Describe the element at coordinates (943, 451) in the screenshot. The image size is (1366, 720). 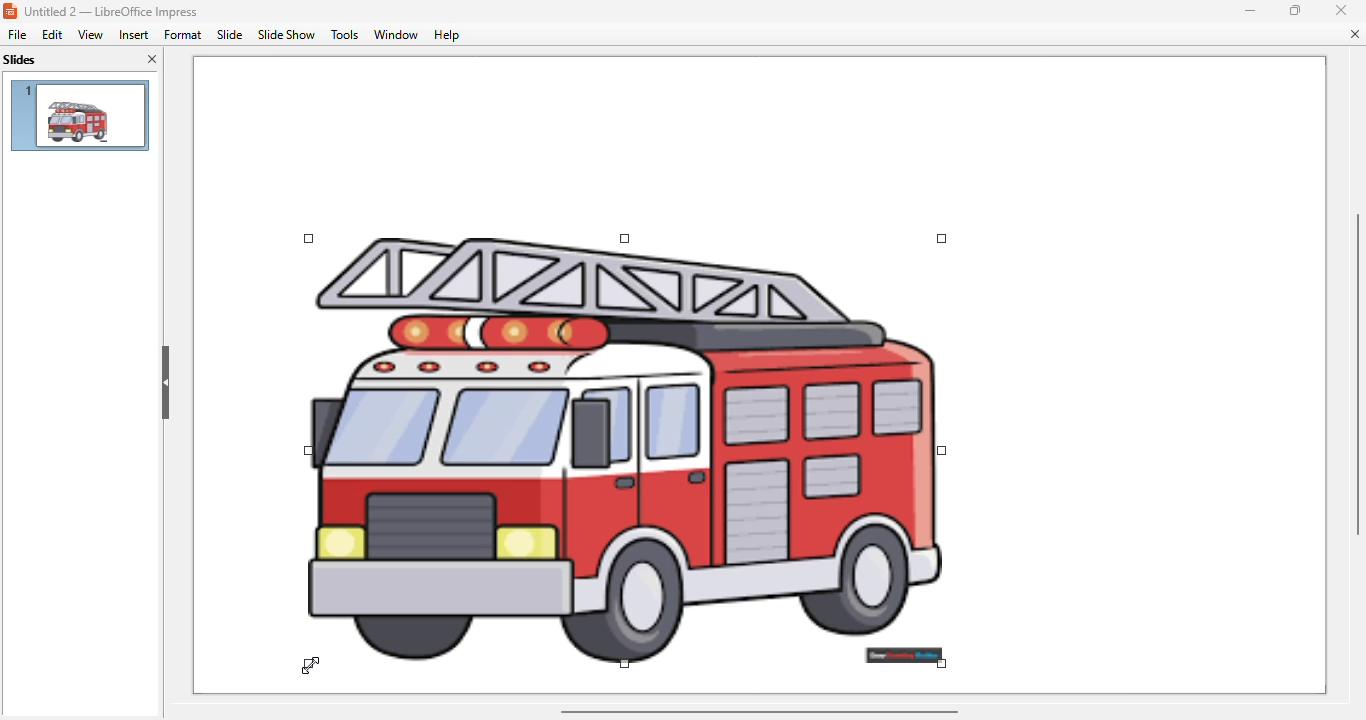
I see `corner handles` at that location.